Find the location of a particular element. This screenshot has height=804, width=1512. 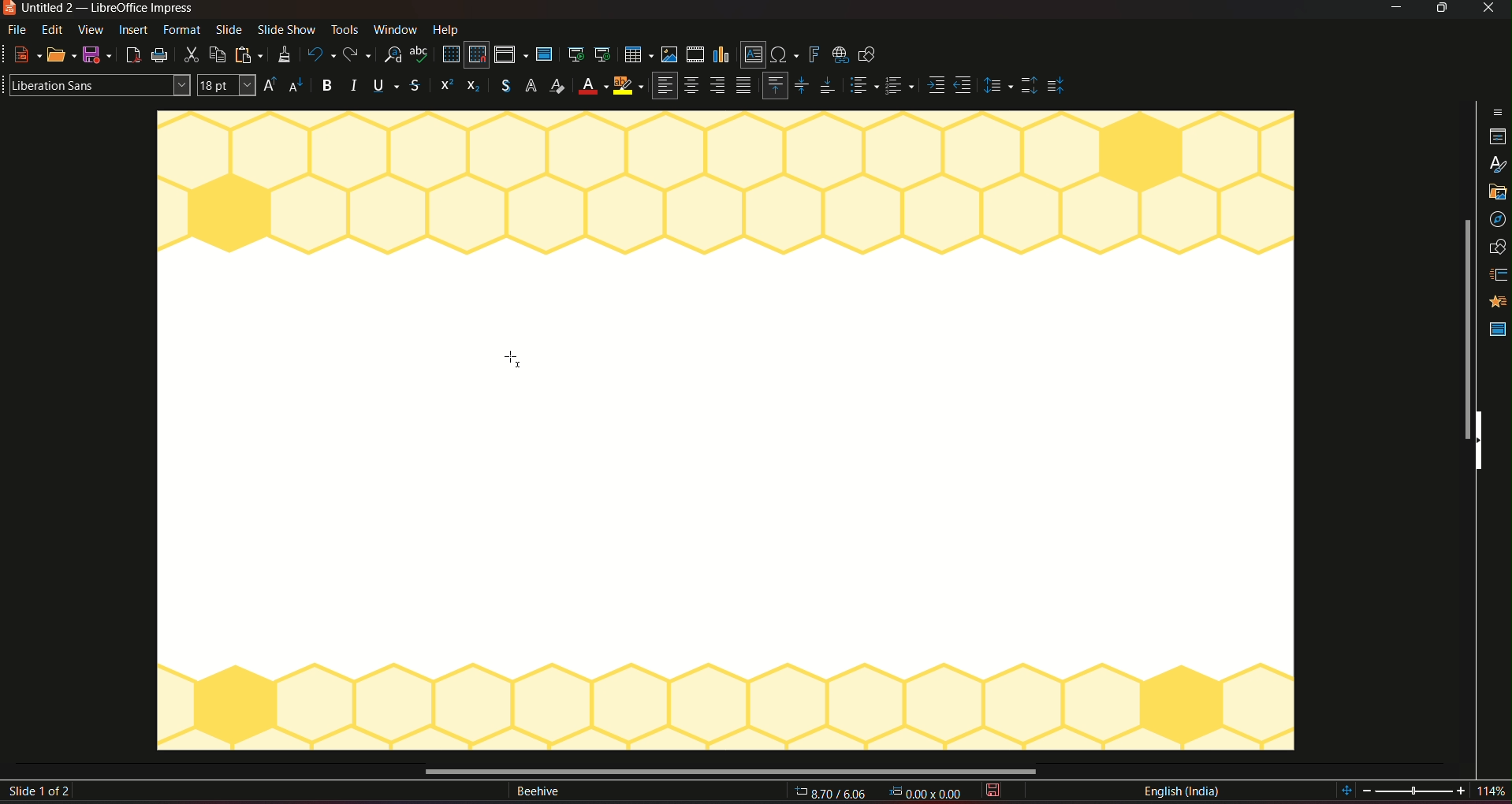

size decrease is located at coordinates (300, 86).